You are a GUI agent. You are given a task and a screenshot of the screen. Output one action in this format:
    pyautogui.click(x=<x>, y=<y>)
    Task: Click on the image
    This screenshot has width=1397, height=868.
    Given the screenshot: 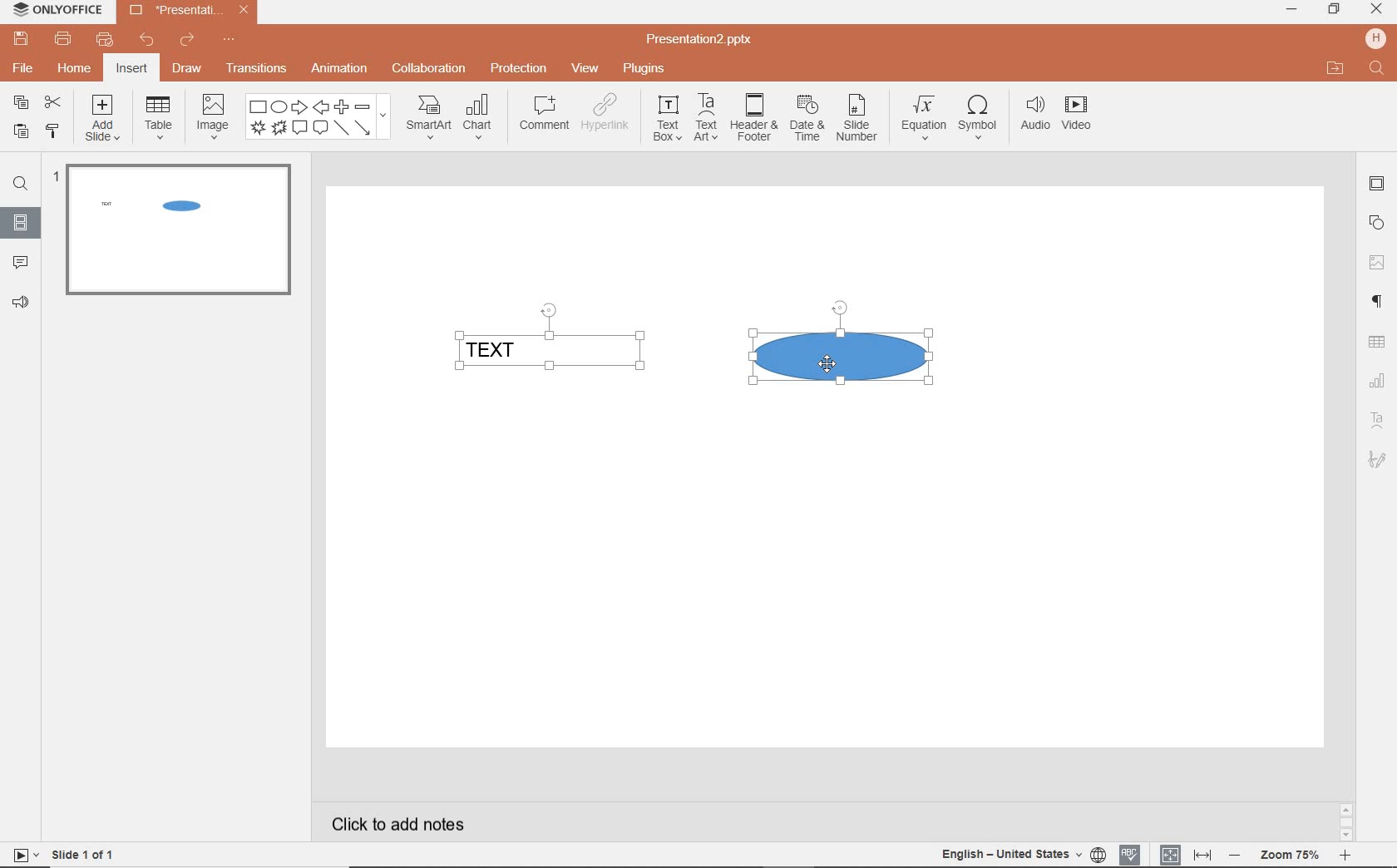 What is the action you would take?
    pyautogui.click(x=210, y=116)
    